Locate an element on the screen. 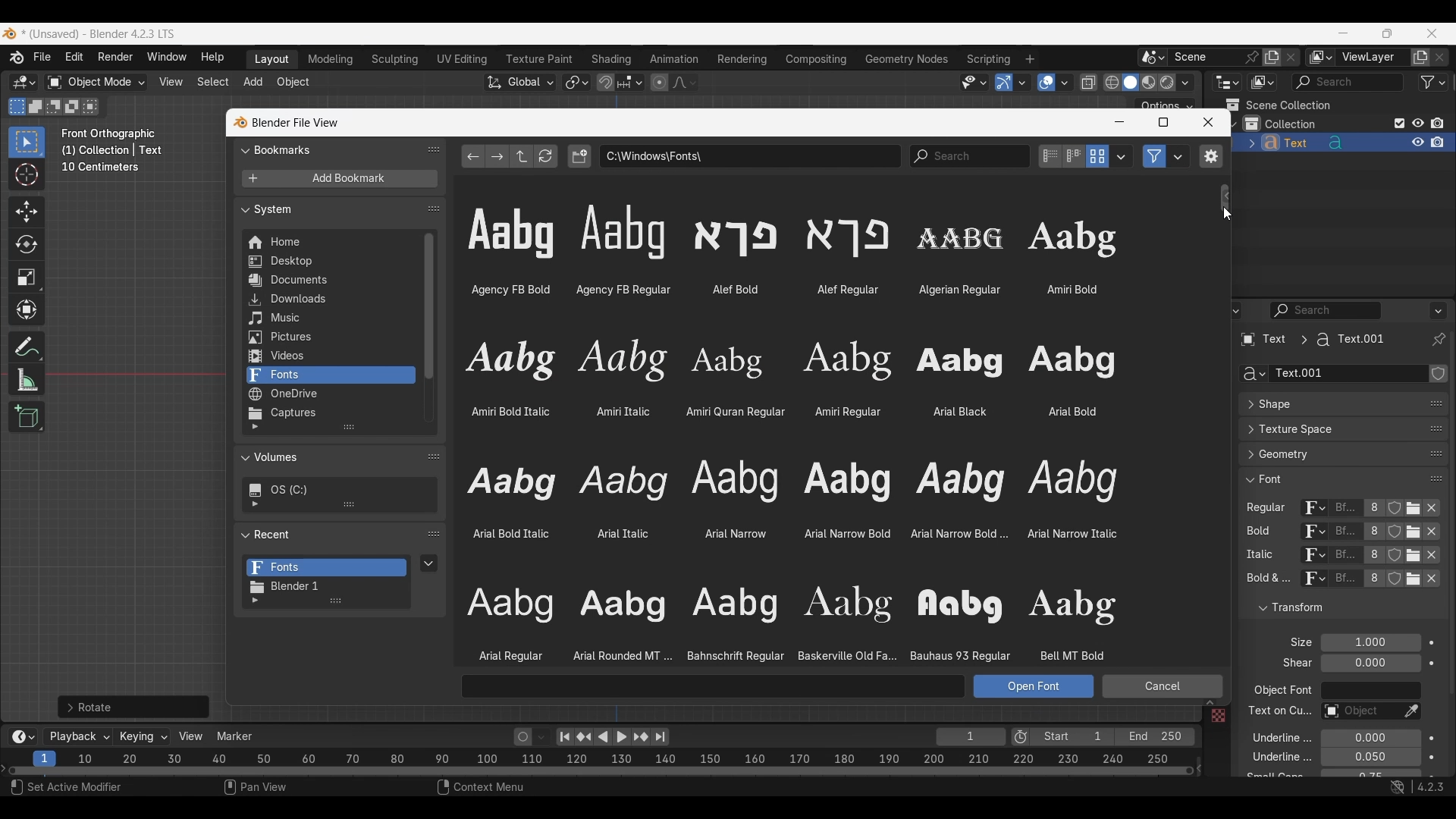 Image resolution: width=1456 pixels, height=819 pixels. Fonts folder is located at coordinates (327, 568).